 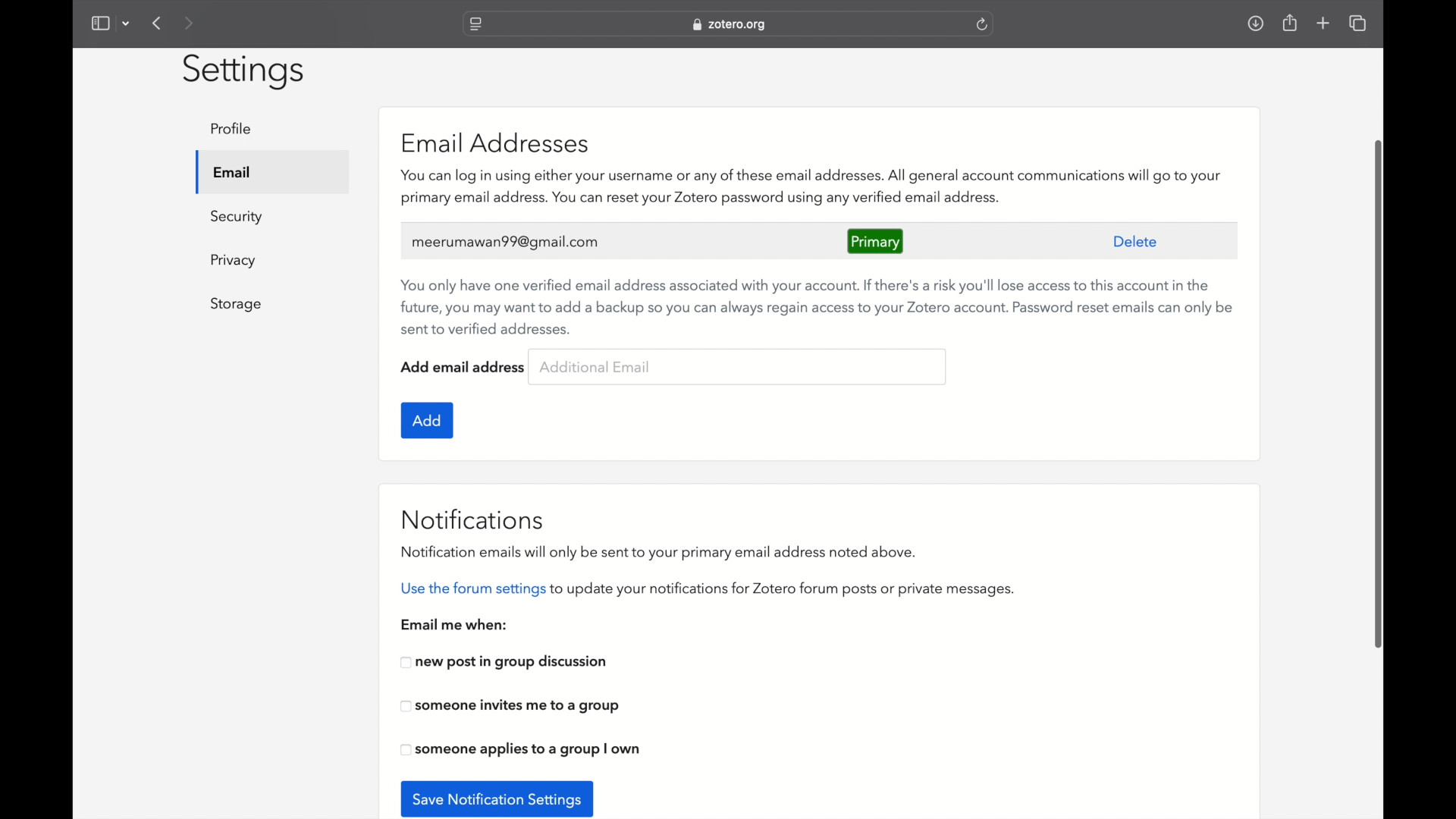 I want to click on notifications emails will only be sent to your primary email address noted above, so click(x=658, y=551).